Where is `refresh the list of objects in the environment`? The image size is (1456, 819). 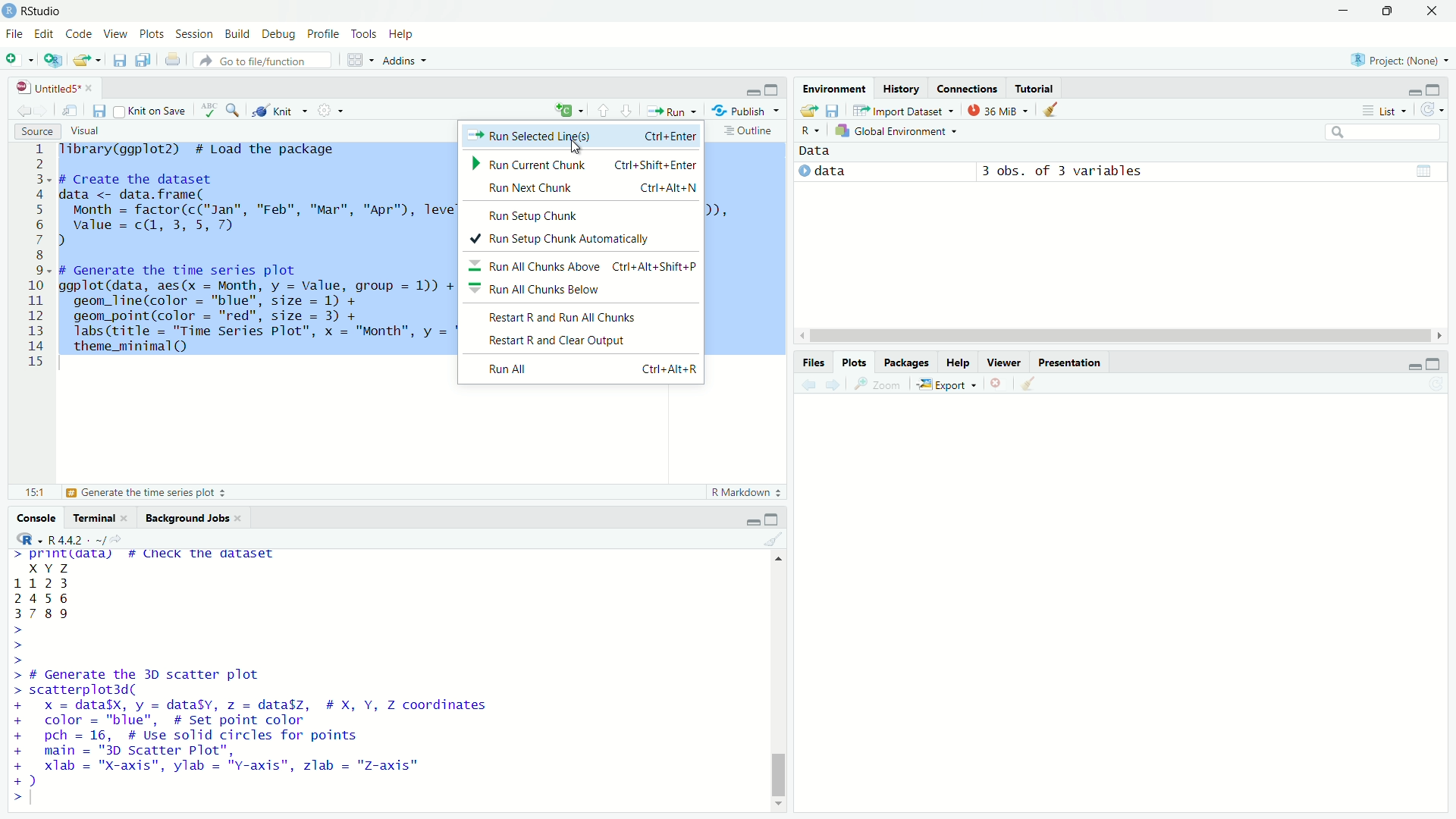
refresh the list of objects in the environment is located at coordinates (1437, 111).